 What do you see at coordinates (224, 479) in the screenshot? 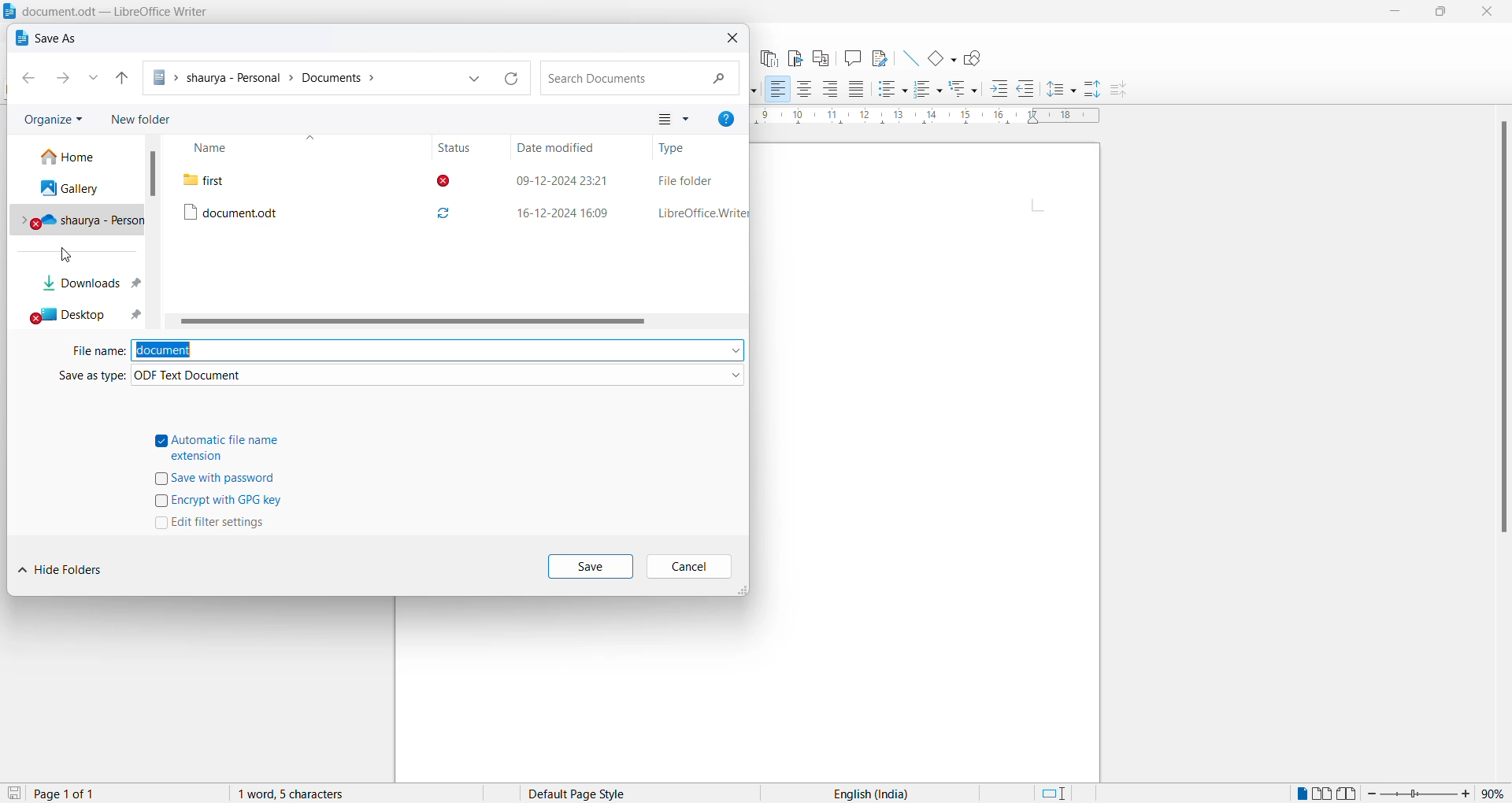
I see `save with password options` at bounding box center [224, 479].